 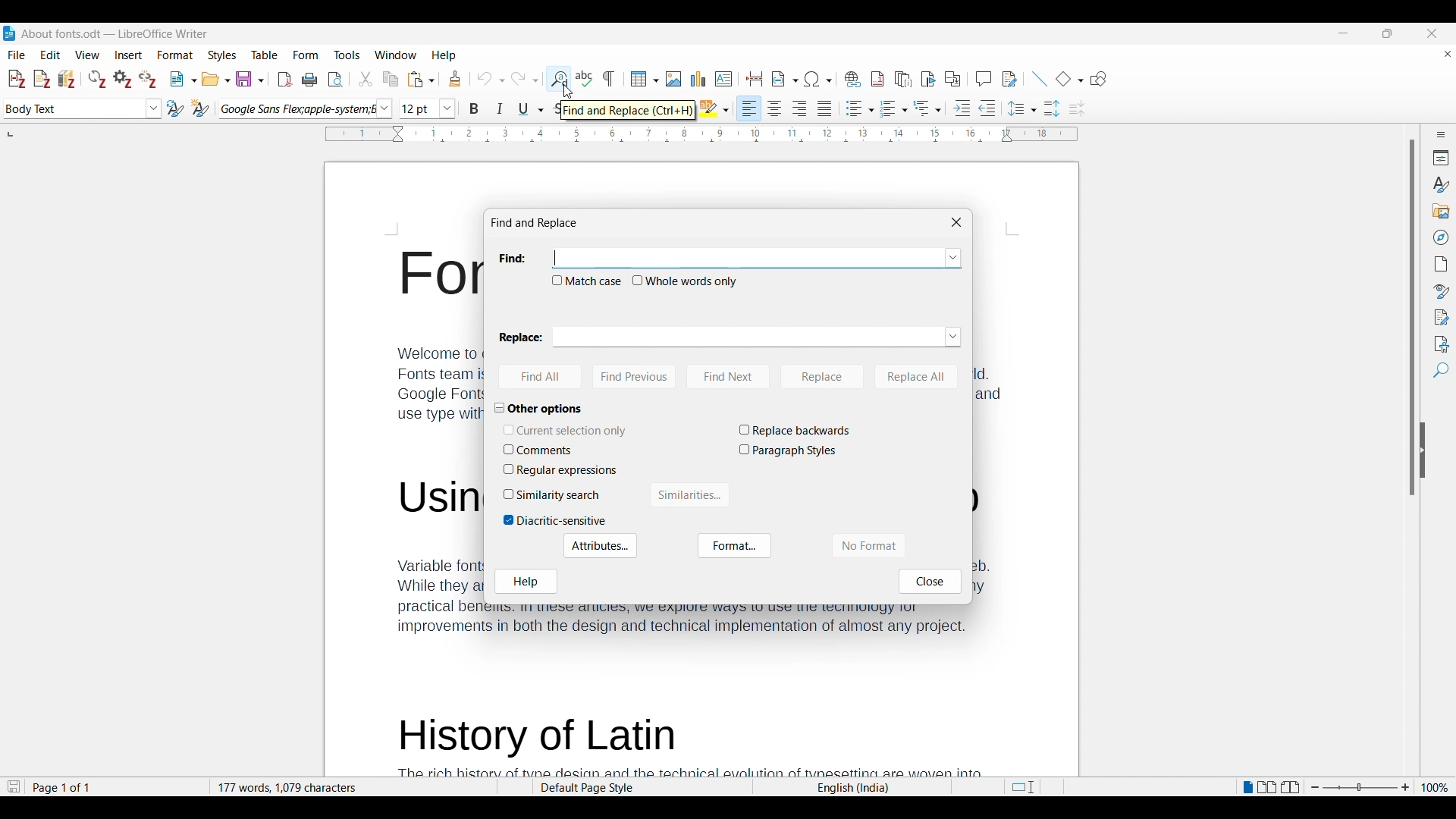 What do you see at coordinates (558, 79) in the screenshot?
I see `Find and replace` at bounding box center [558, 79].